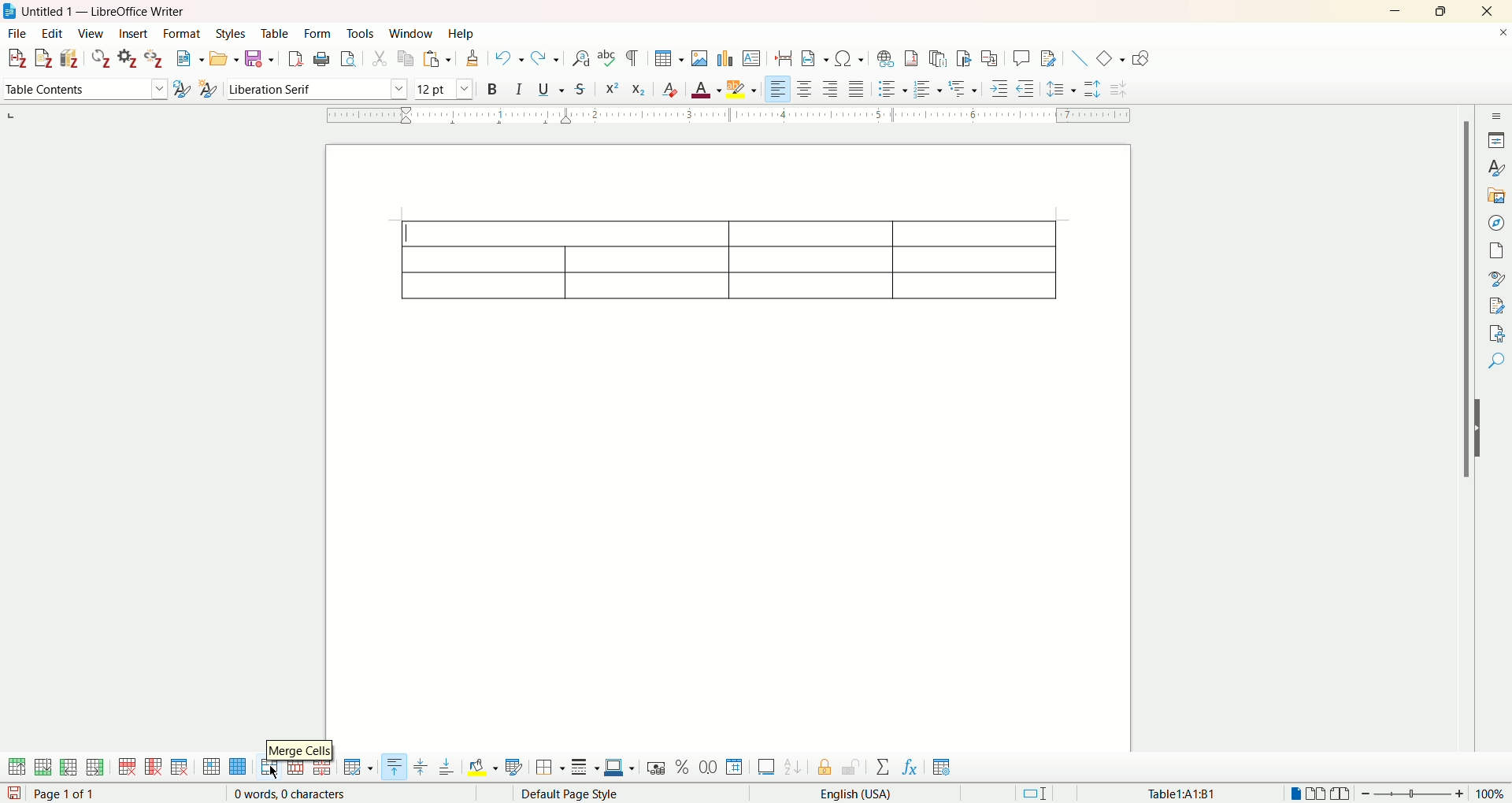 Image resolution: width=1512 pixels, height=803 pixels. Describe the element at coordinates (1499, 165) in the screenshot. I see `style` at that location.